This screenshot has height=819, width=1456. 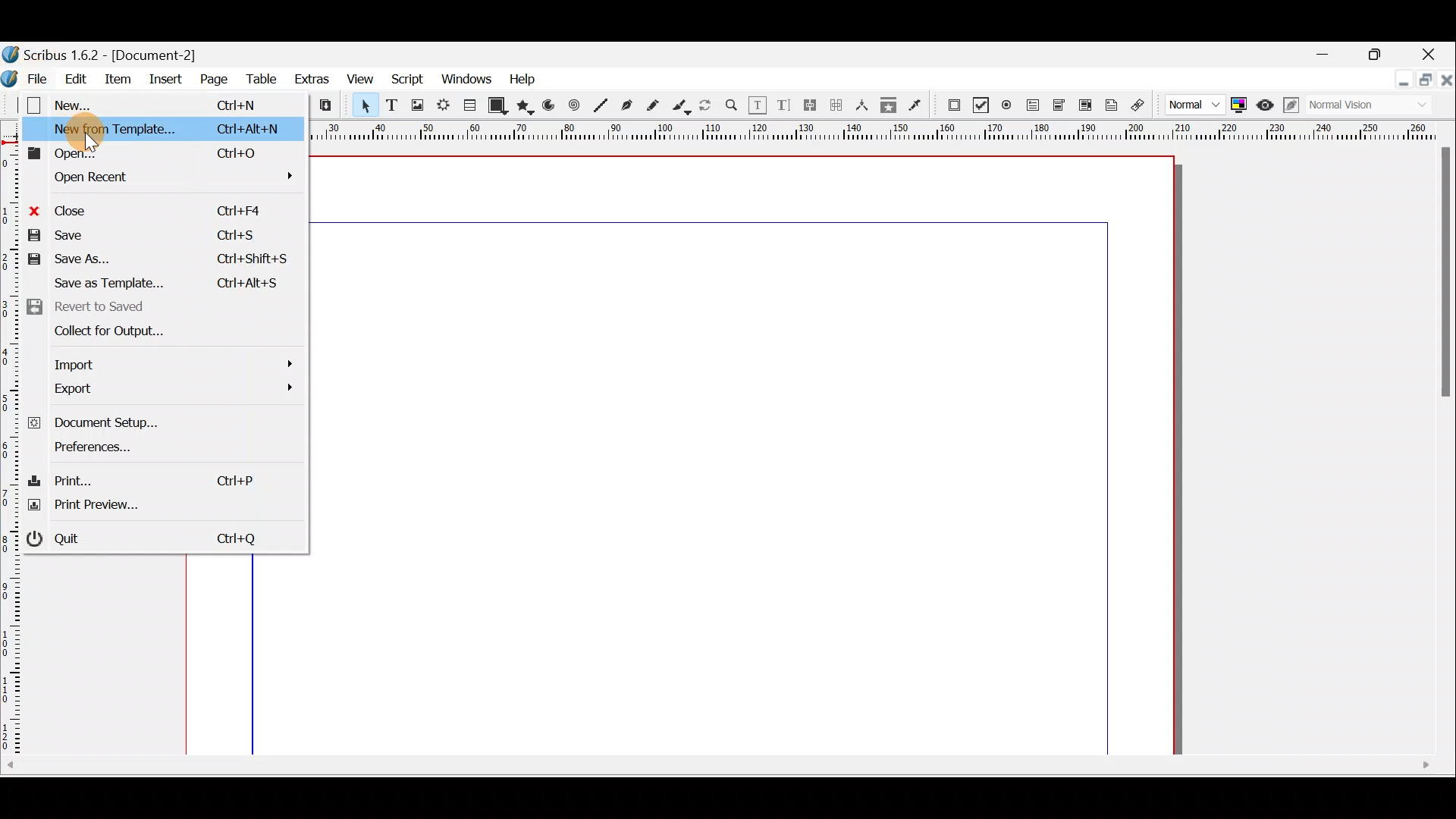 I want to click on Minimise, so click(x=1328, y=58).